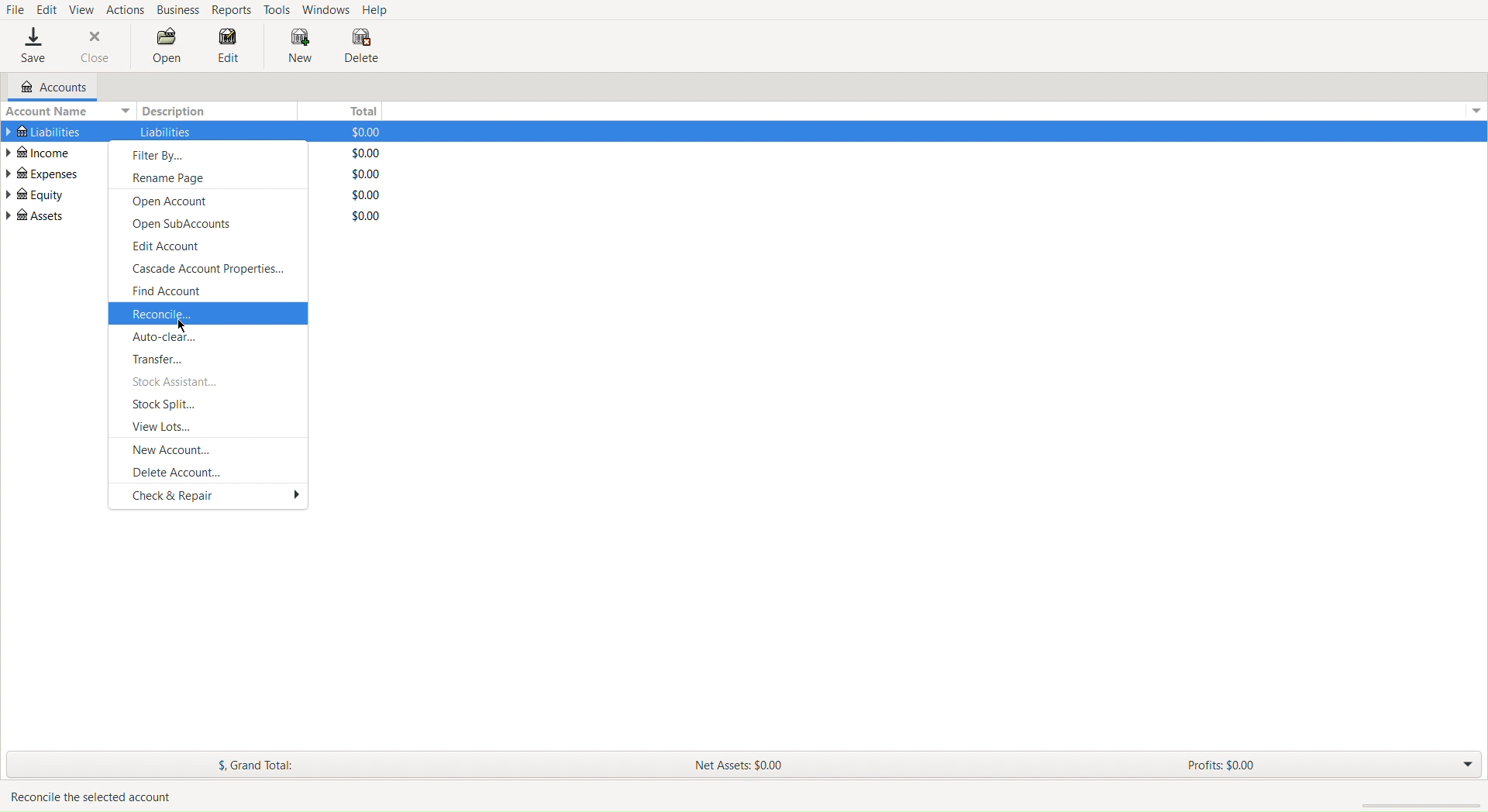 The width and height of the screenshot is (1488, 812). Describe the element at coordinates (208, 181) in the screenshot. I see `Rename Page` at that location.